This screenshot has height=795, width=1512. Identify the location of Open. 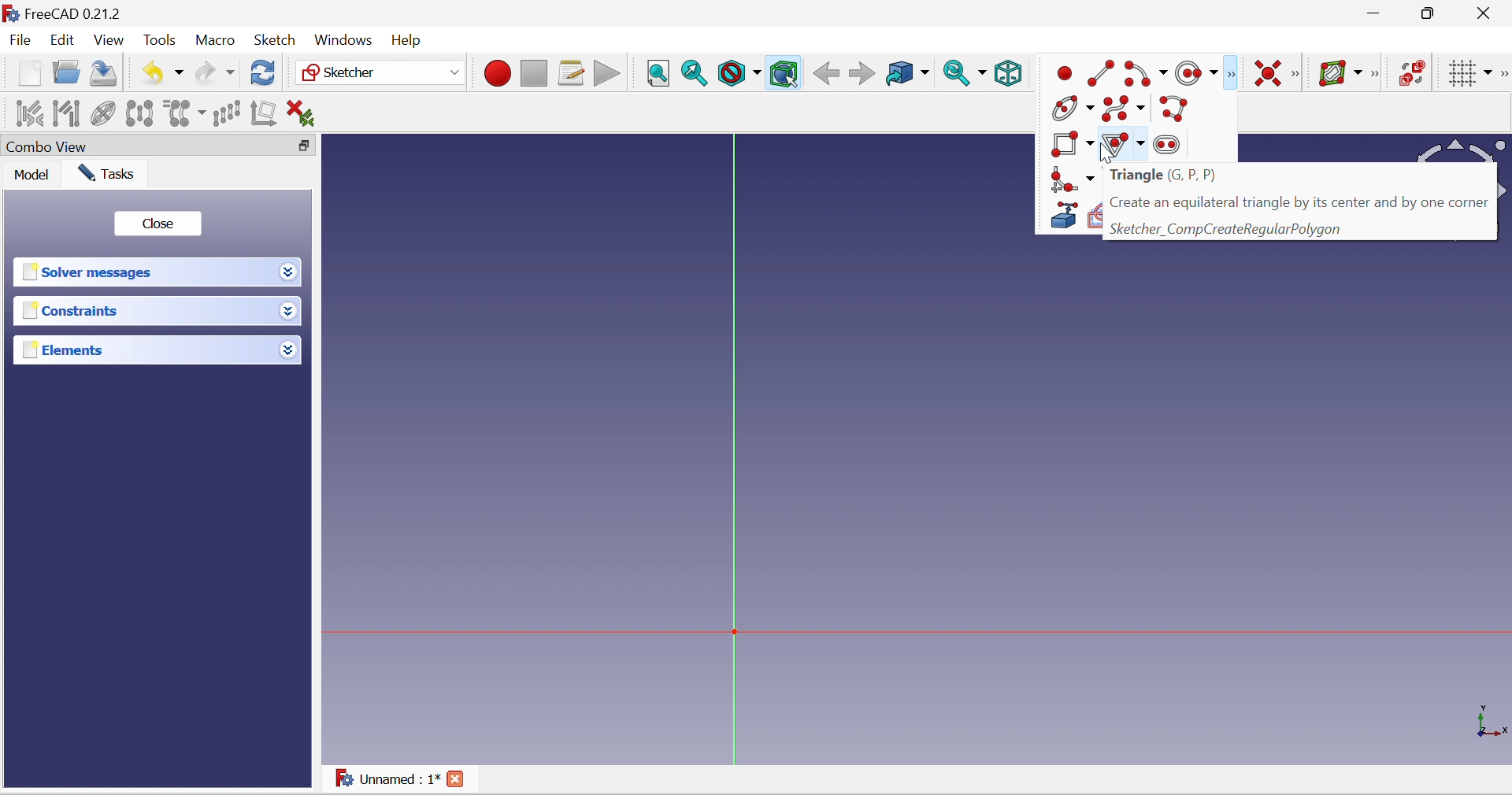
(67, 74).